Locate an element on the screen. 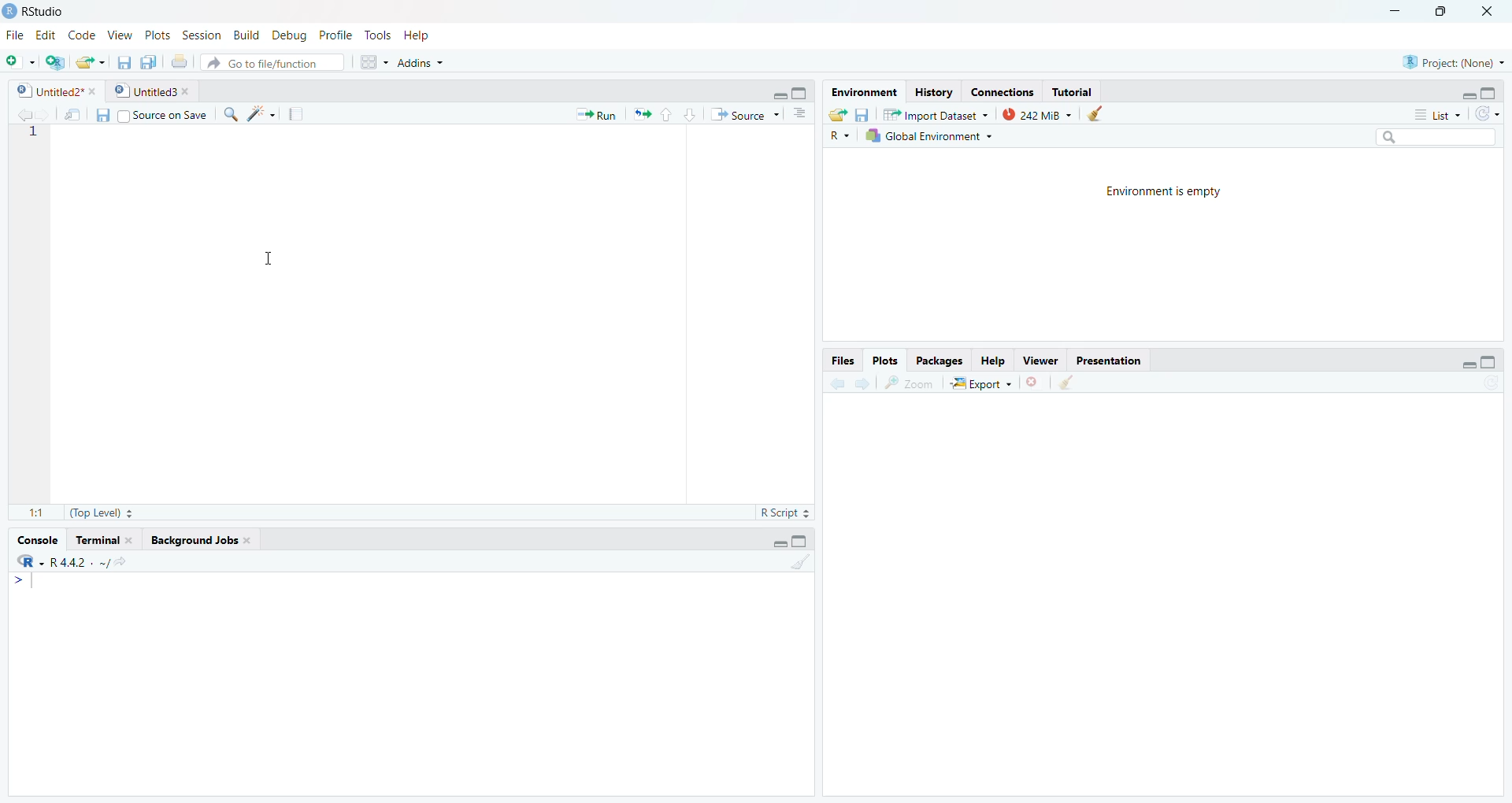 This screenshot has height=803, width=1512. Connections is located at coordinates (1000, 92).